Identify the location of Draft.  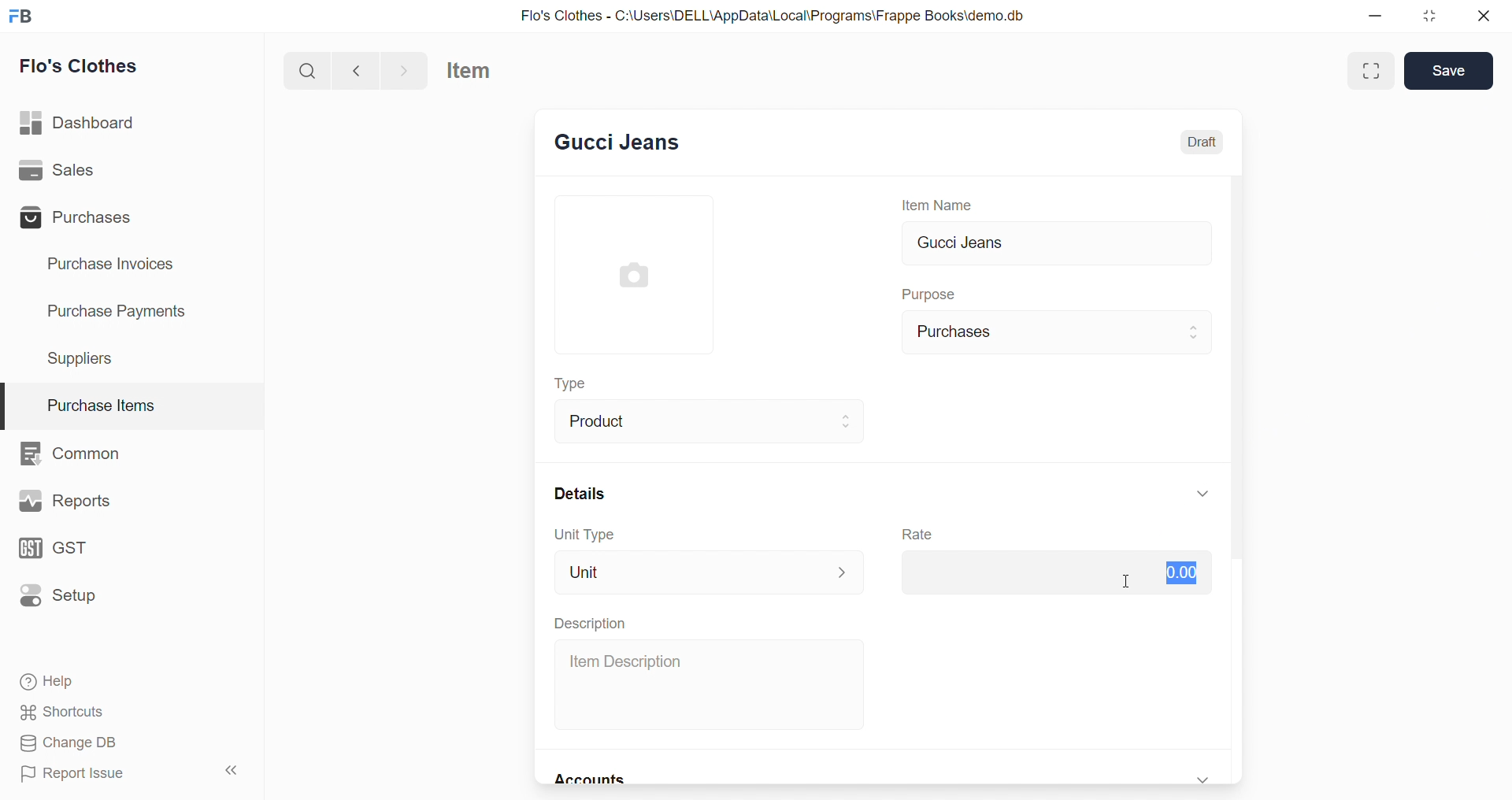
(1204, 142).